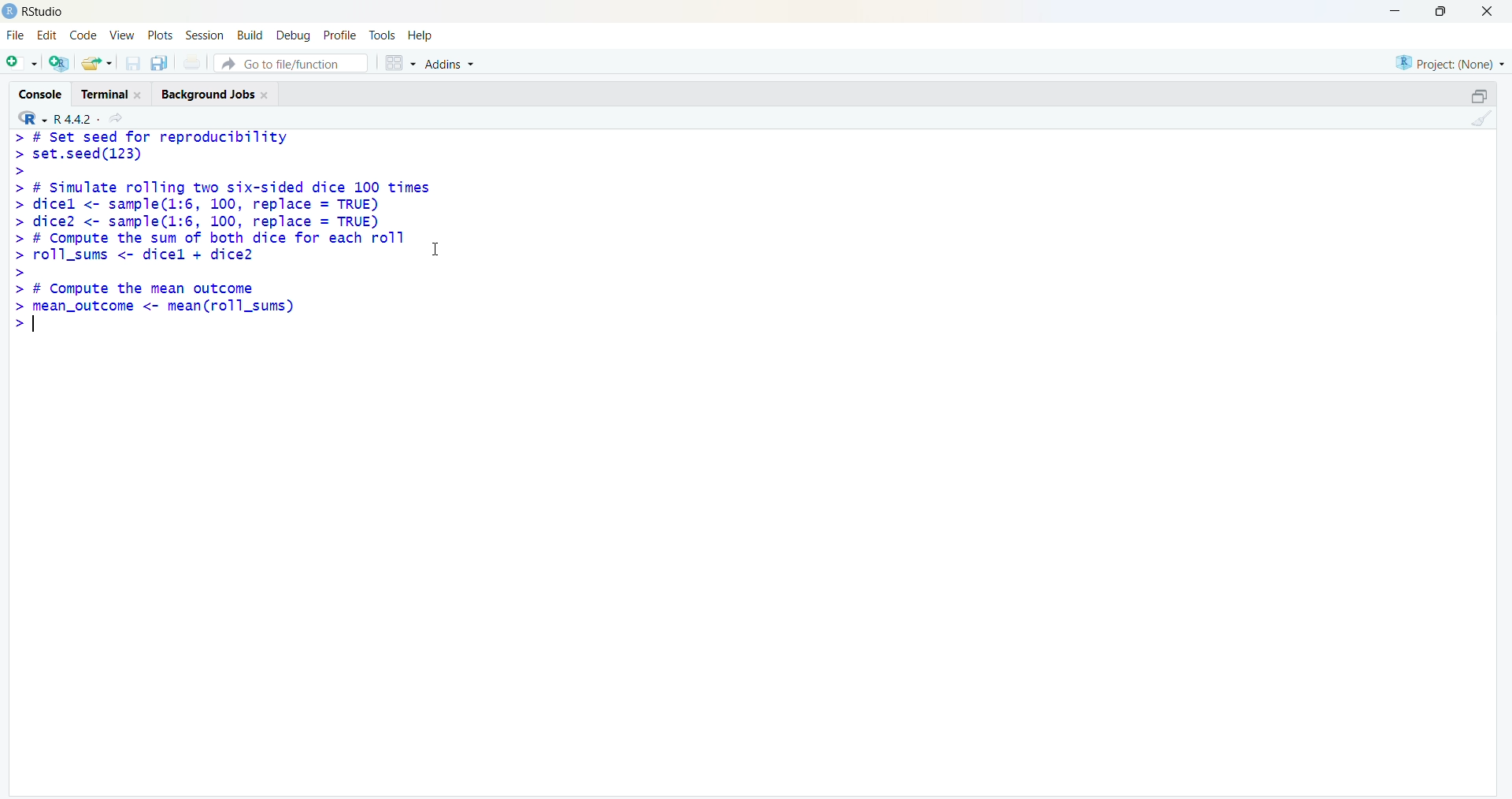 Image resolution: width=1512 pixels, height=799 pixels. I want to click on RStudio, so click(46, 13).